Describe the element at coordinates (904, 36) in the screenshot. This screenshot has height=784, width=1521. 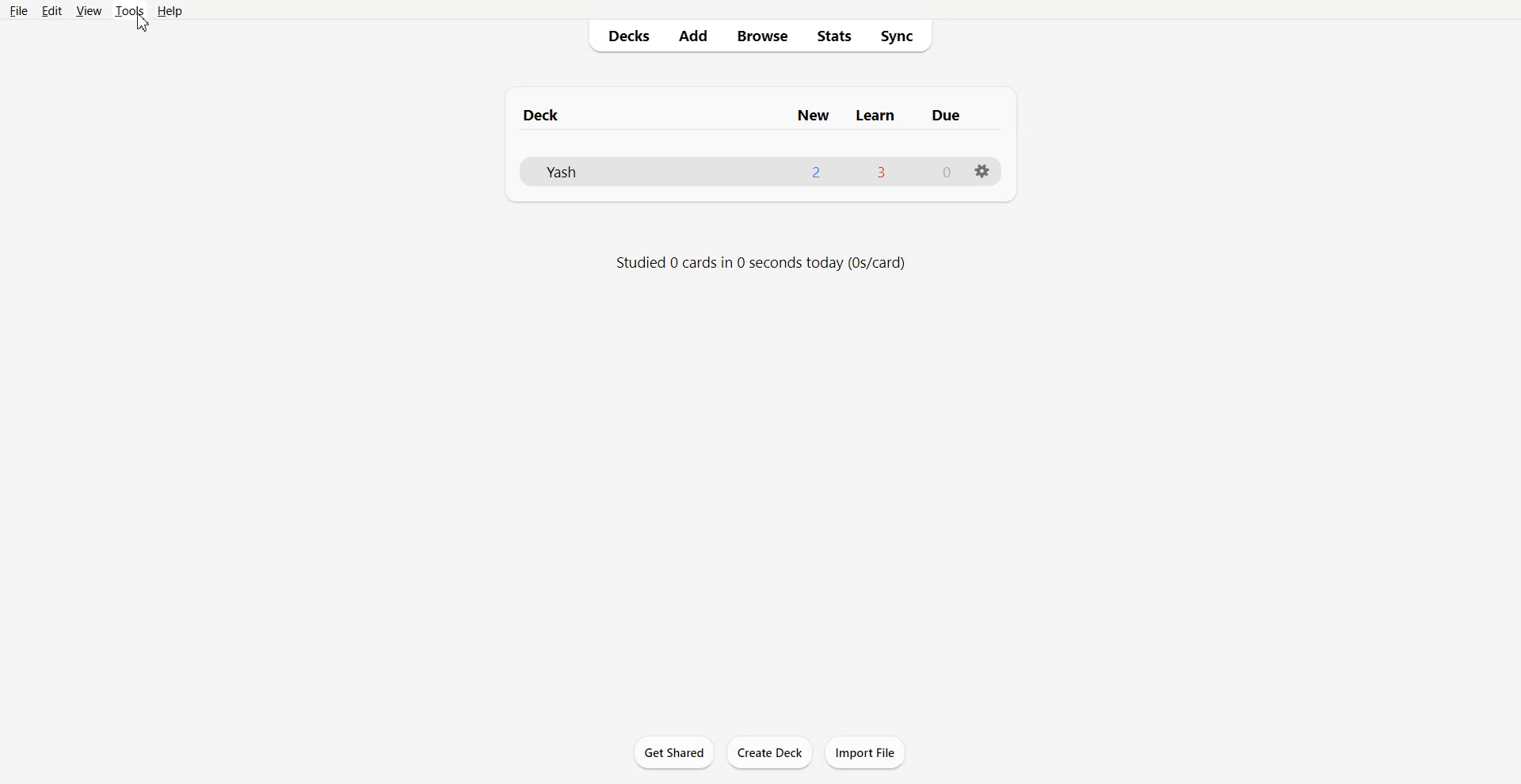
I see `Sync` at that location.